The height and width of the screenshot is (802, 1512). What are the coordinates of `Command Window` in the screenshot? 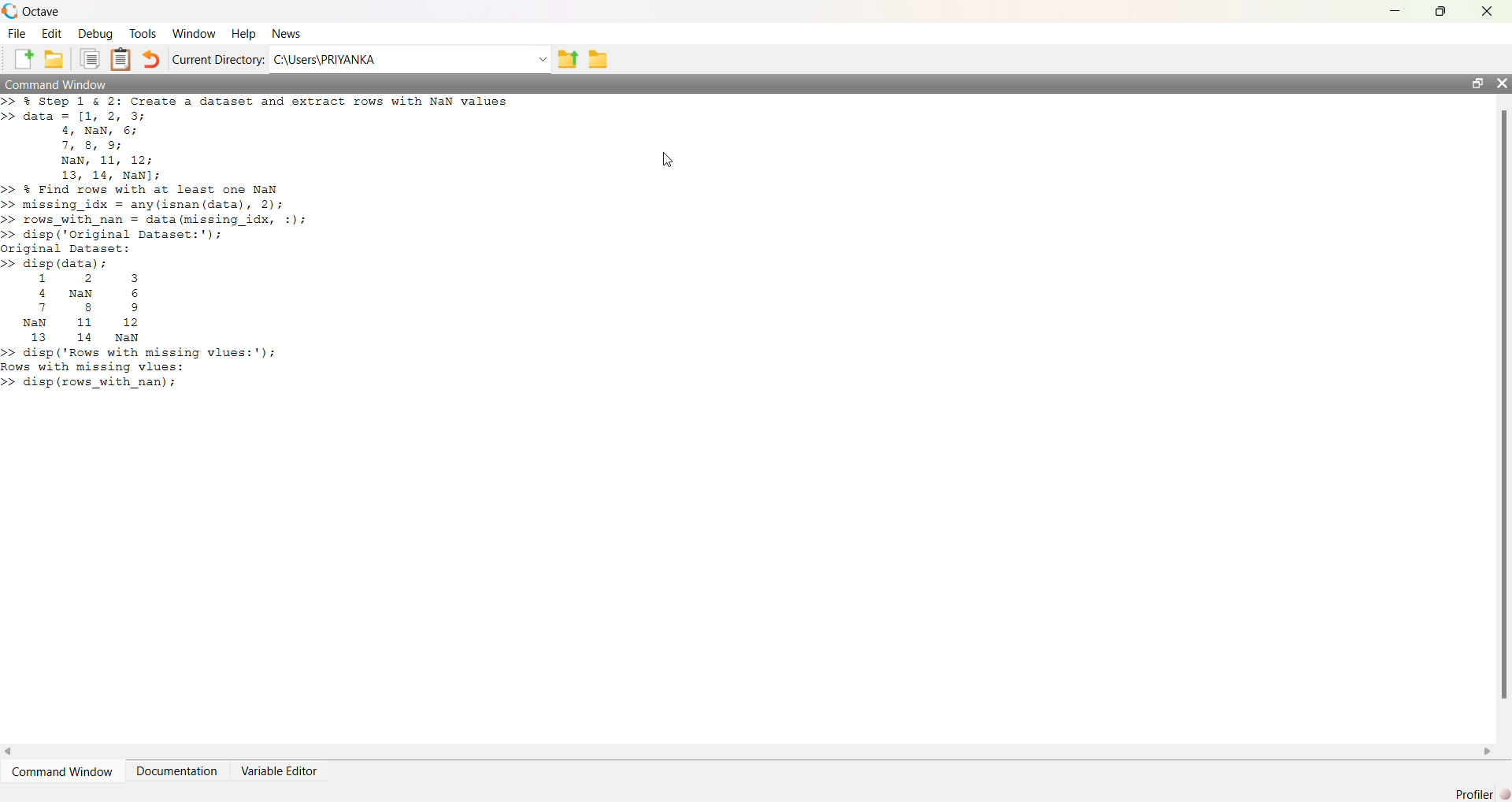 It's located at (62, 772).